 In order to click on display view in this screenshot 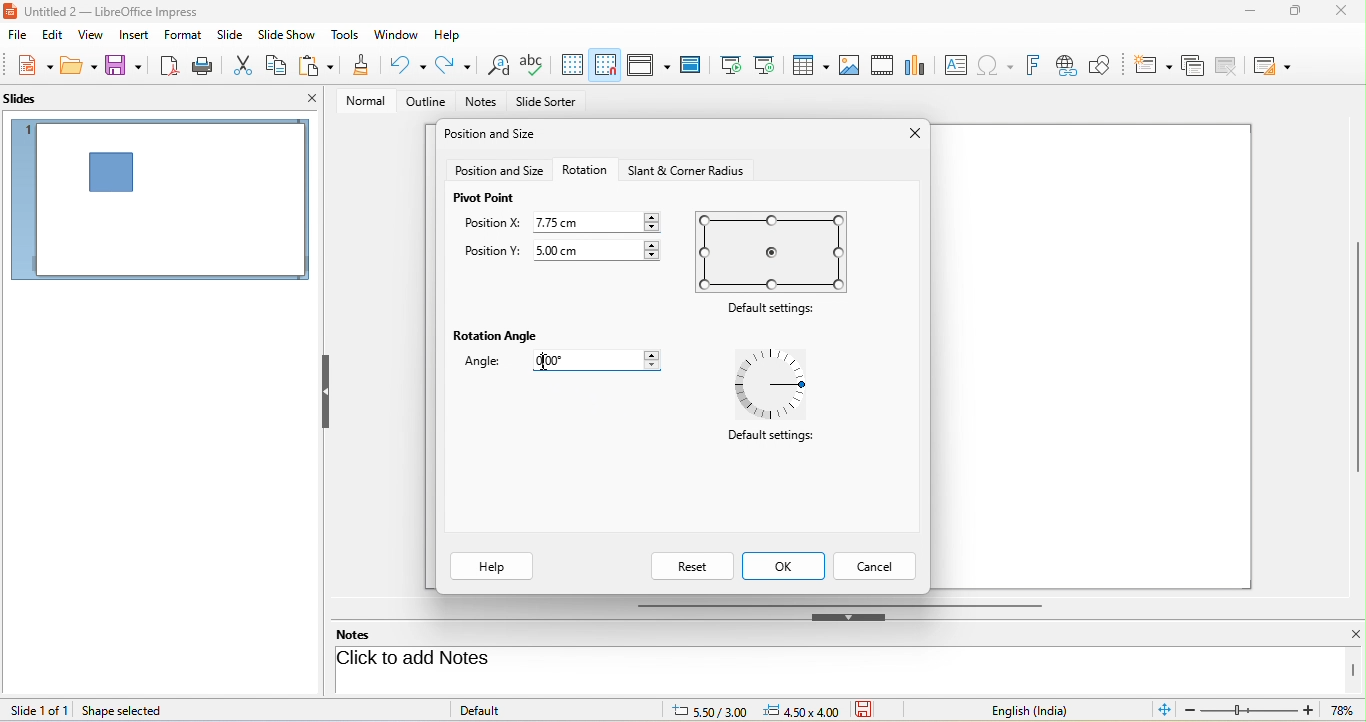, I will do `click(648, 64)`.